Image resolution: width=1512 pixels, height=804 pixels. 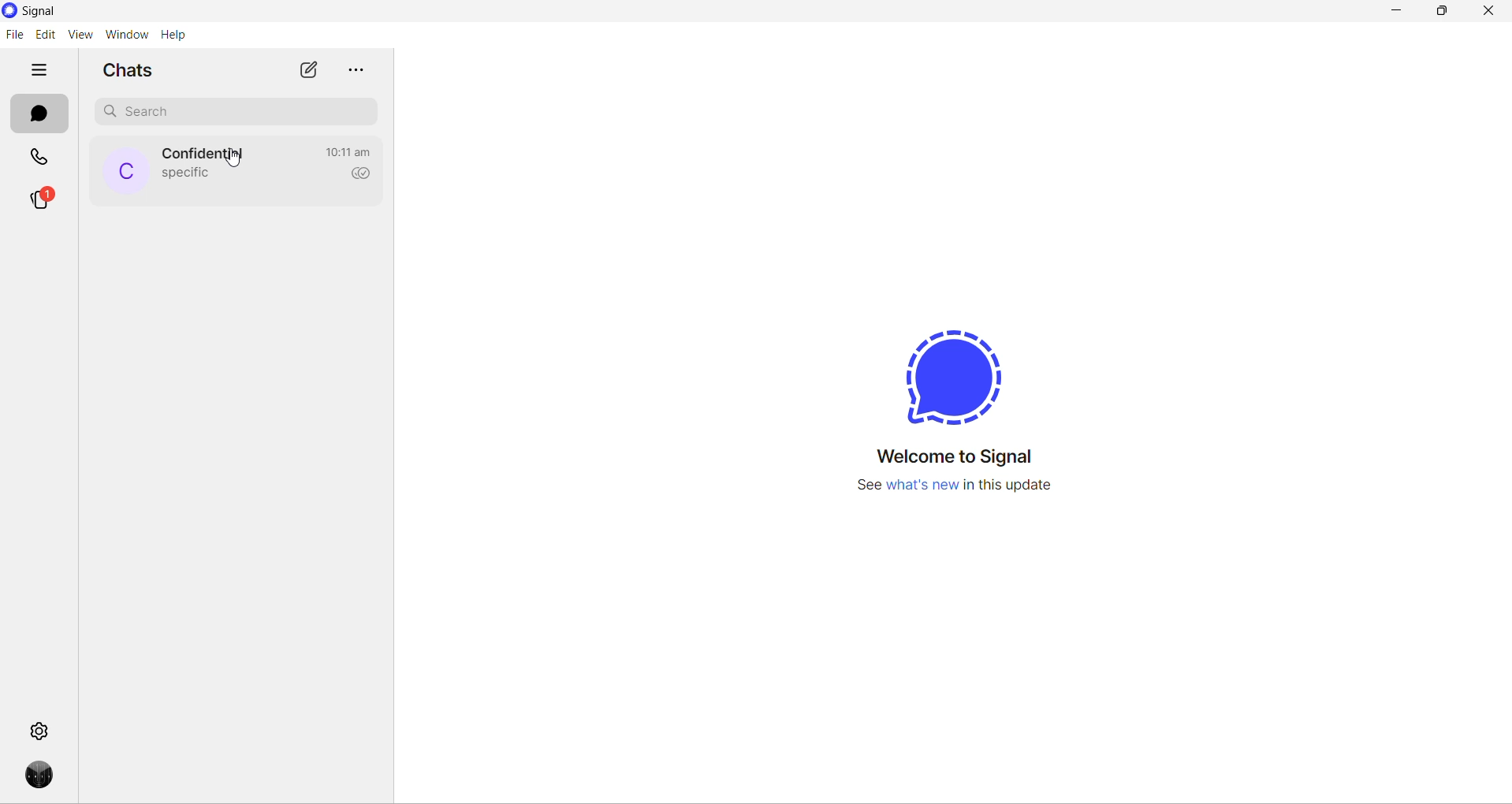 What do you see at coordinates (955, 459) in the screenshot?
I see `welcome message` at bounding box center [955, 459].